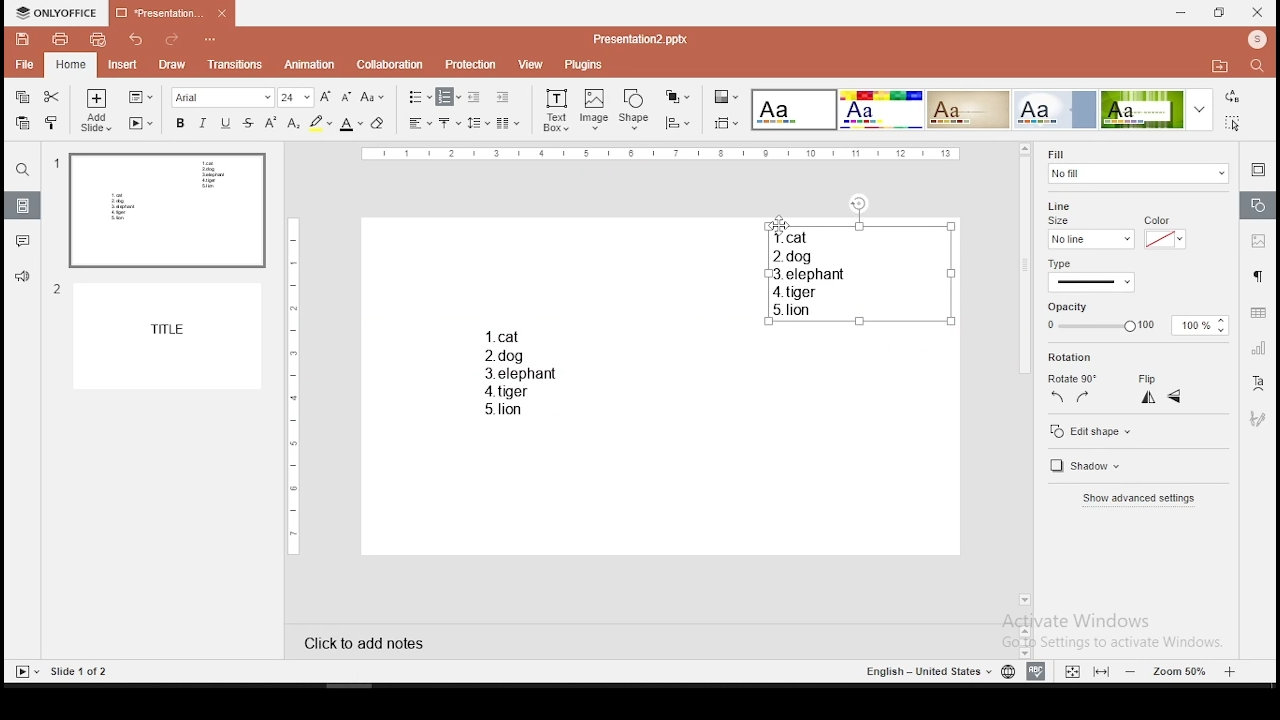  Describe the element at coordinates (503, 96) in the screenshot. I see `increase indent` at that location.